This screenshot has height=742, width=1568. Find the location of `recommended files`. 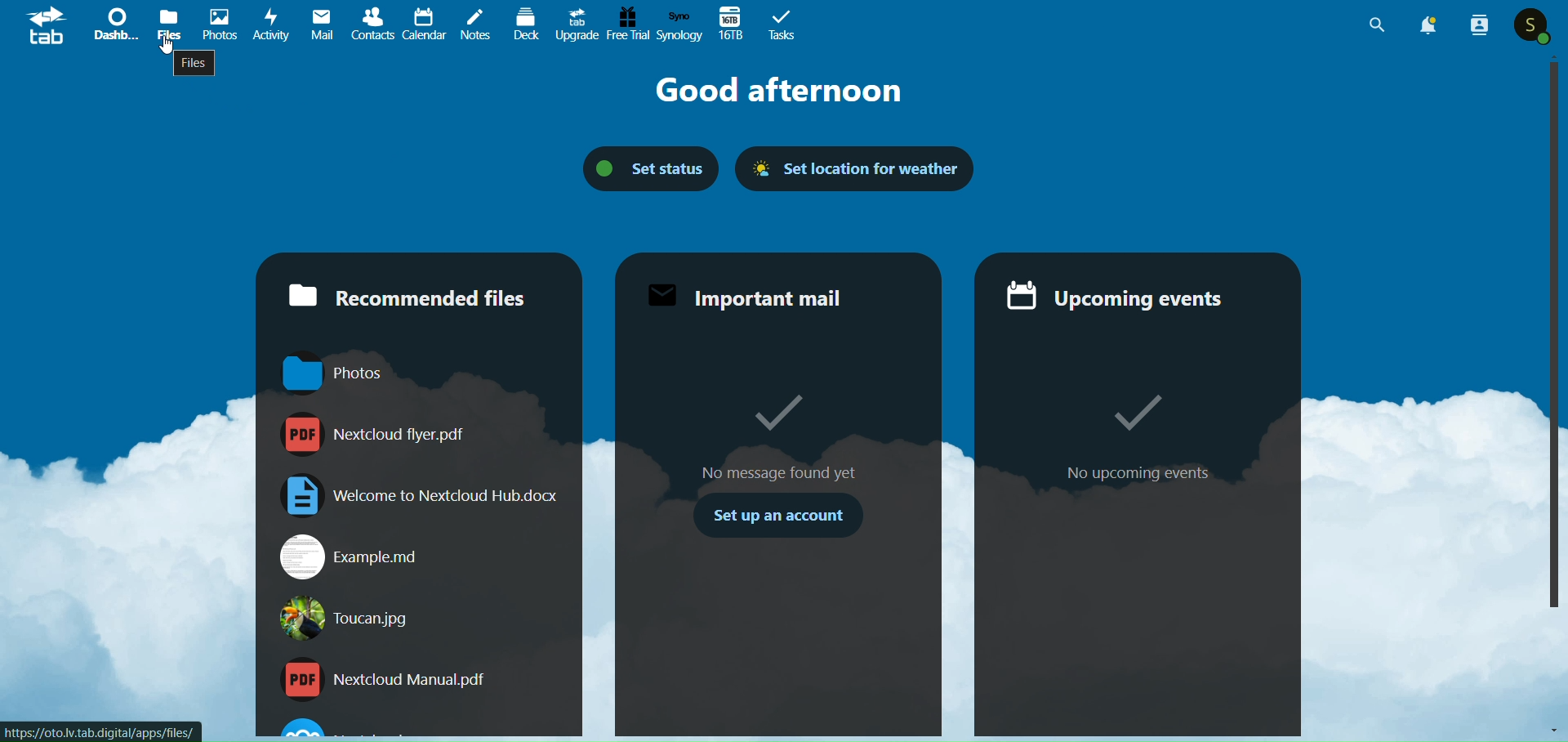

recommended files is located at coordinates (415, 297).